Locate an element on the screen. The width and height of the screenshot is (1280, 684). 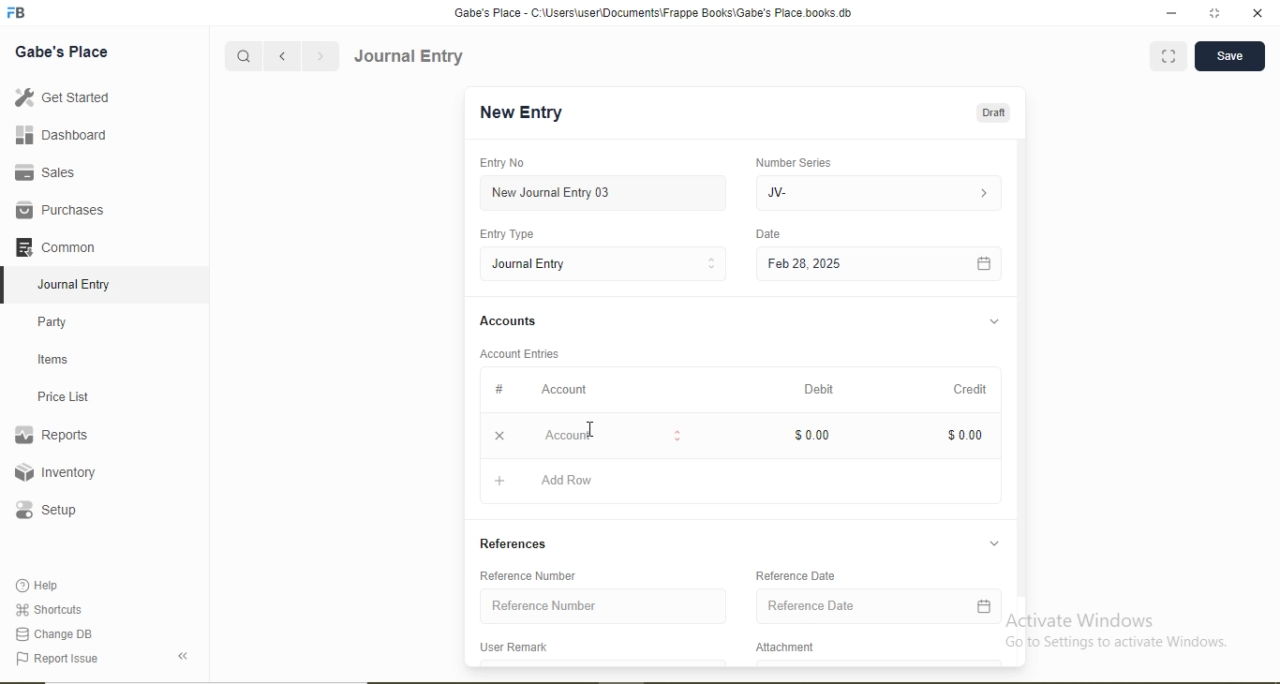
Attachment is located at coordinates (787, 647).